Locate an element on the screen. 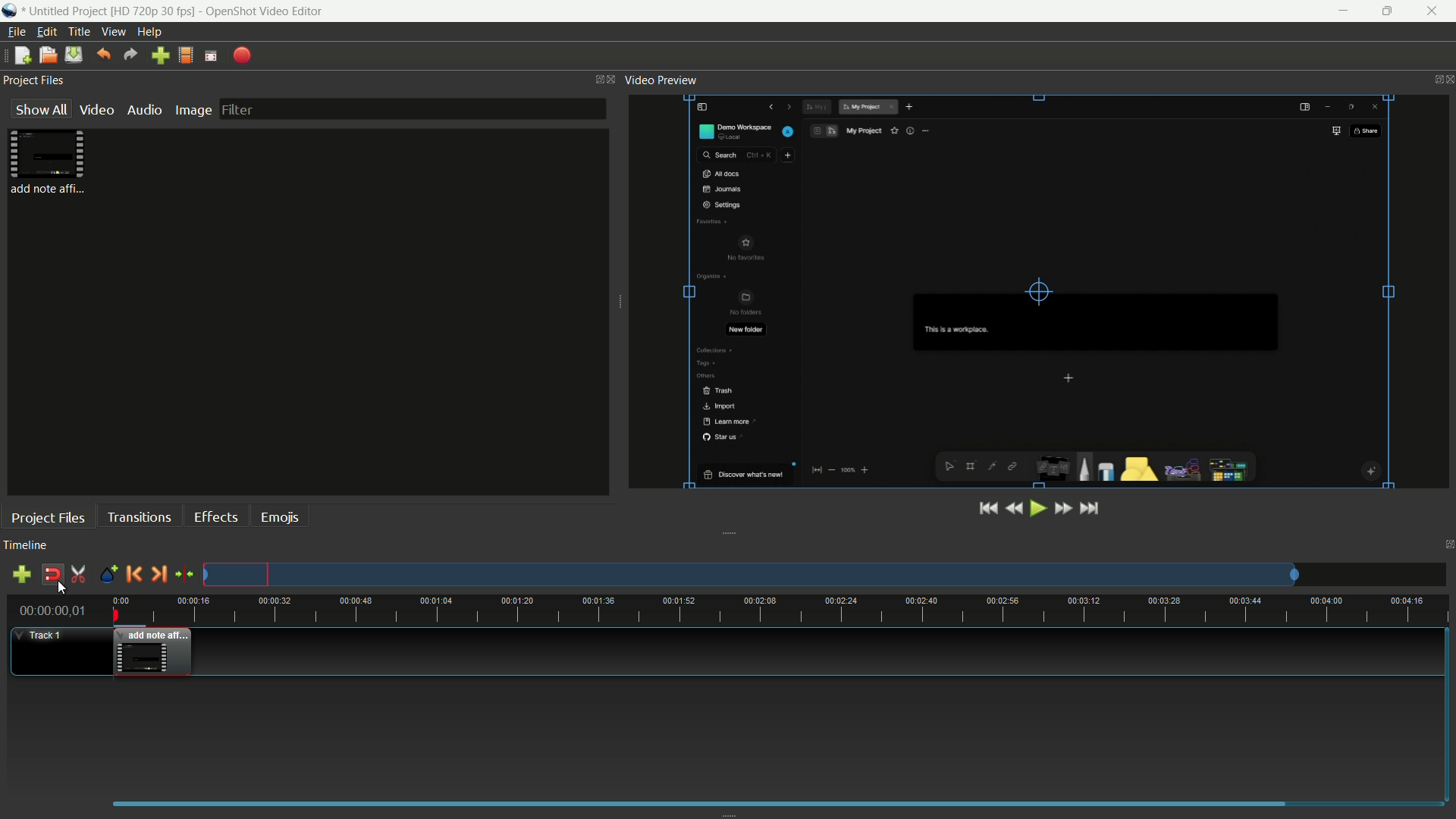 This screenshot has width=1456, height=819. jump to start is located at coordinates (987, 509).